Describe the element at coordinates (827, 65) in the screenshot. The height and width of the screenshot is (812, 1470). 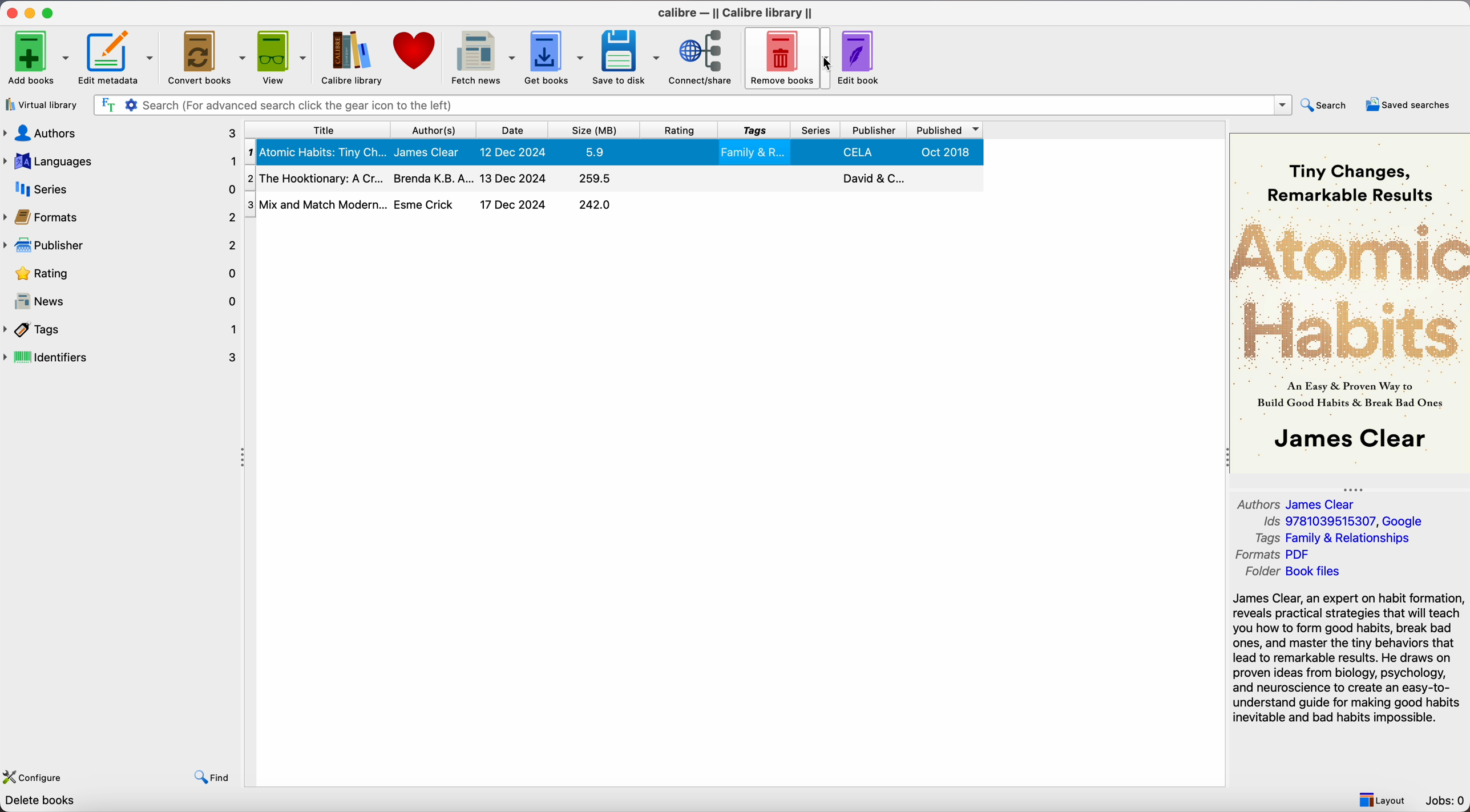
I see `cursor` at that location.